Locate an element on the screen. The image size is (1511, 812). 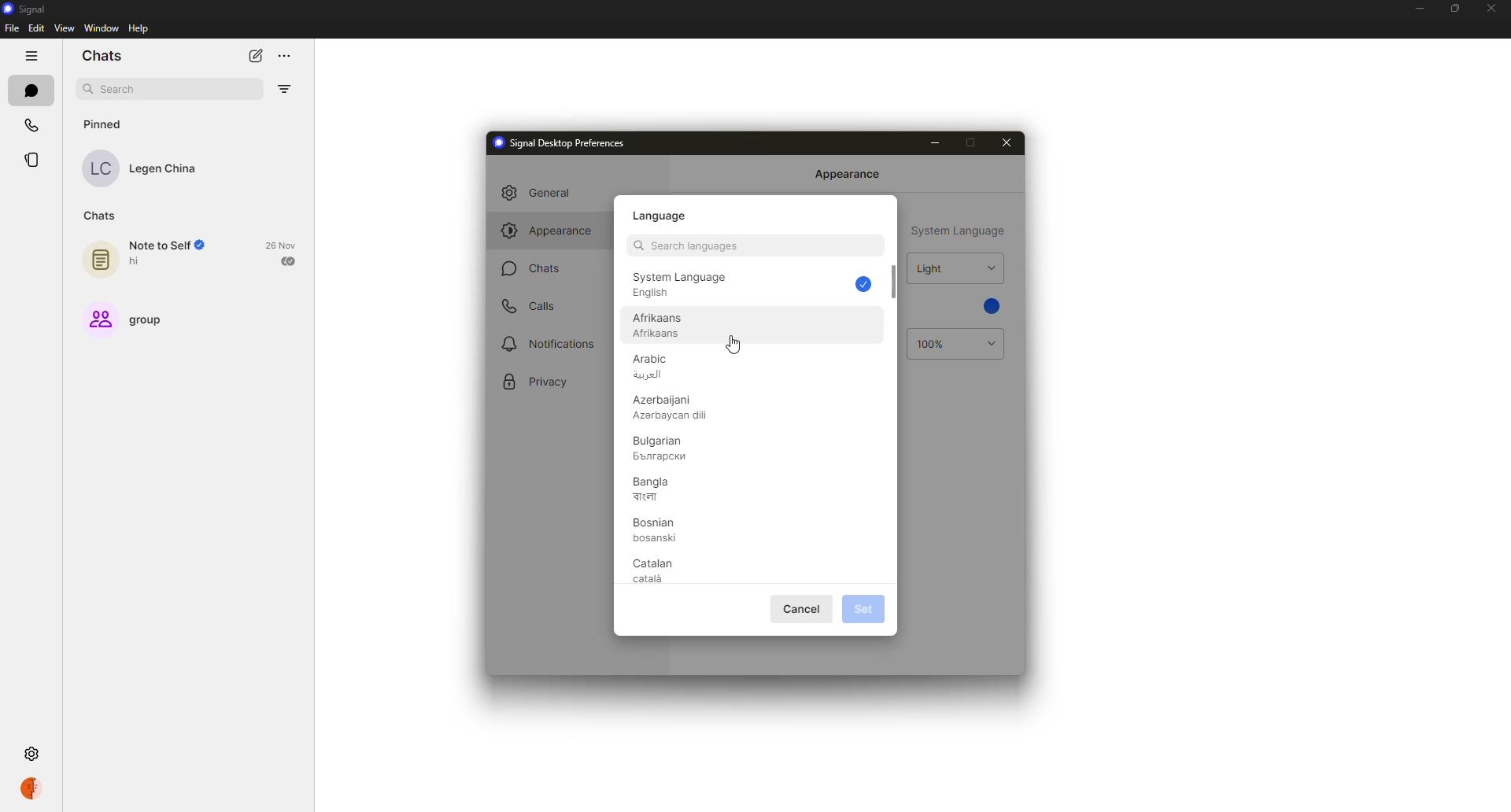
cursor is located at coordinates (735, 345).